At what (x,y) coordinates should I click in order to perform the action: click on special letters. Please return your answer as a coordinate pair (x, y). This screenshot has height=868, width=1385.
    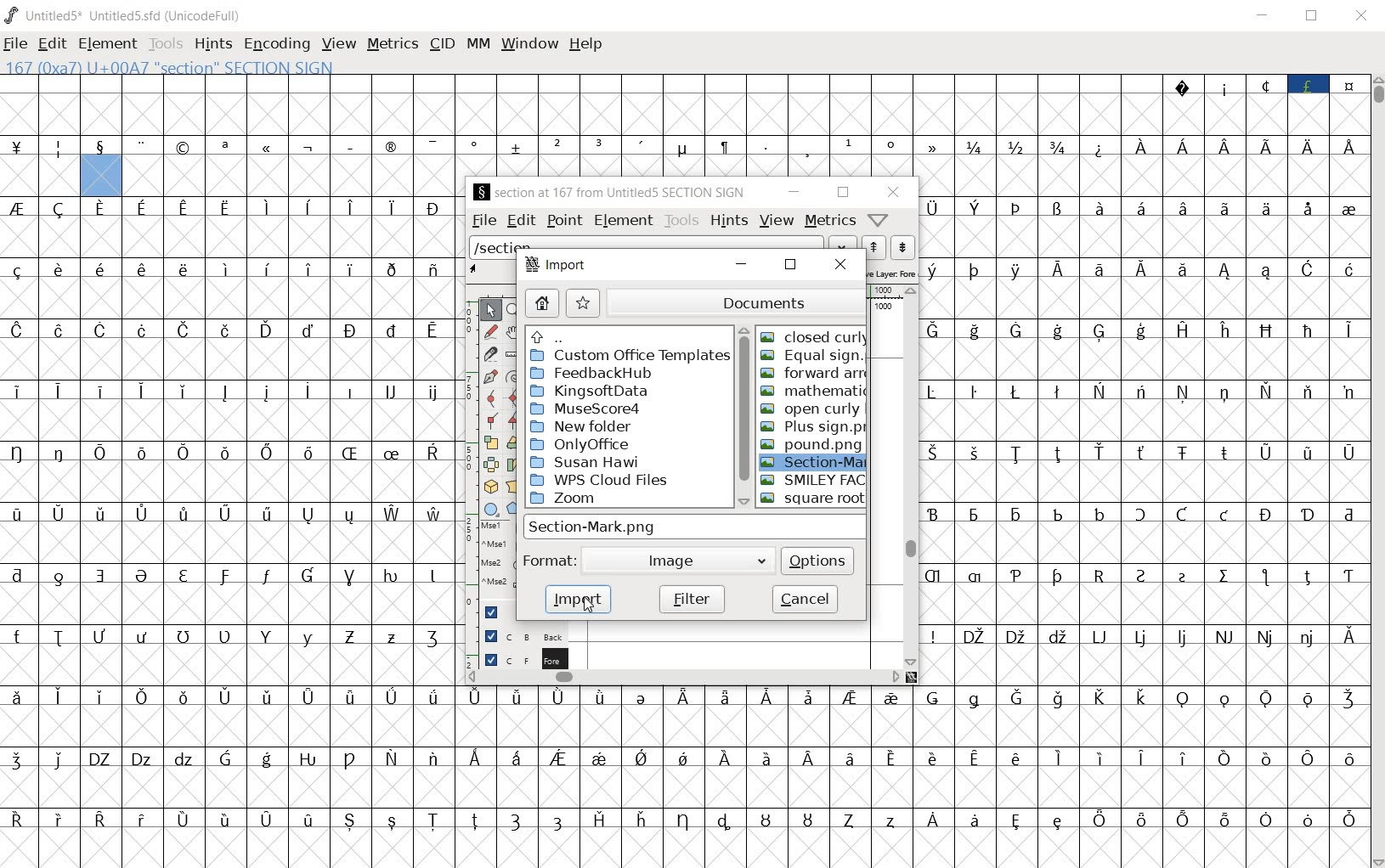
    Looking at the image, I should click on (229, 270).